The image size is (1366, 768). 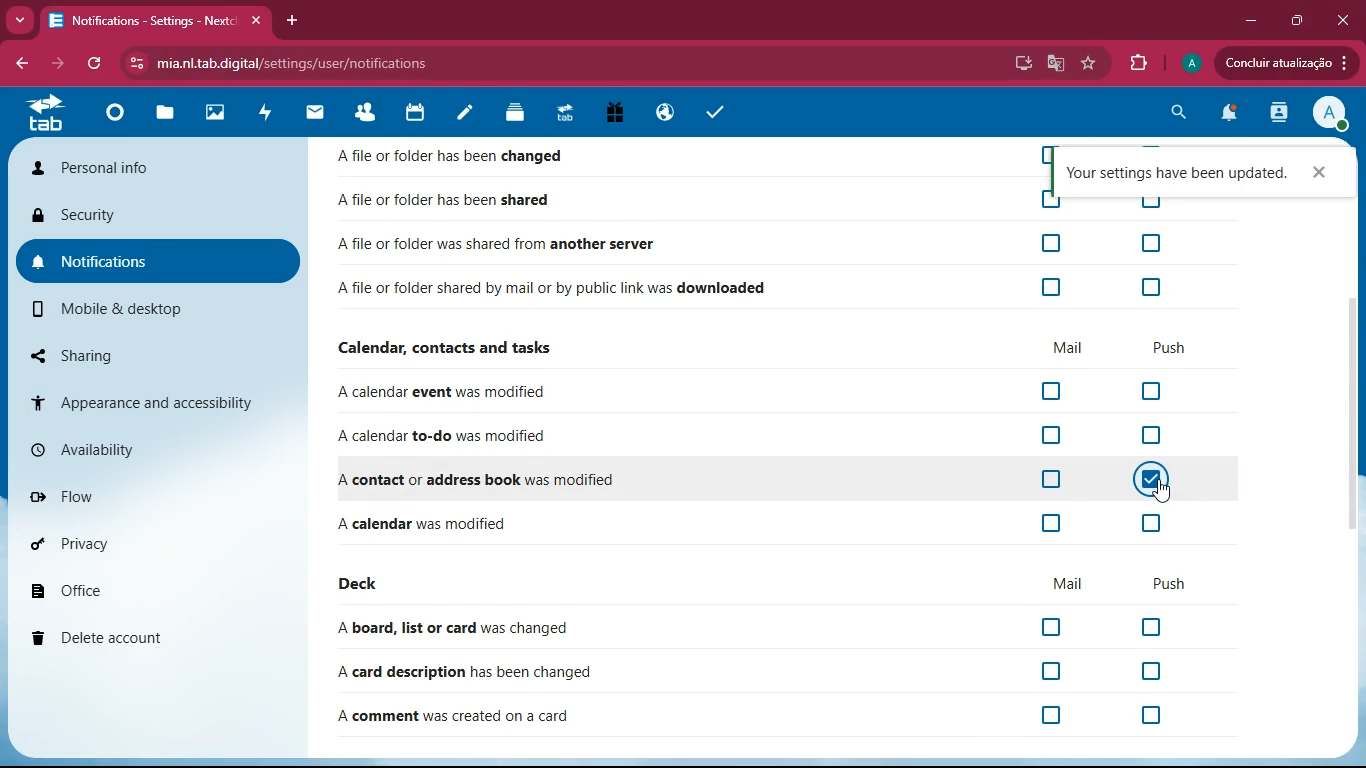 What do you see at coordinates (1053, 65) in the screenshot?
I see `google translate` at bounding box center [1053, 65].